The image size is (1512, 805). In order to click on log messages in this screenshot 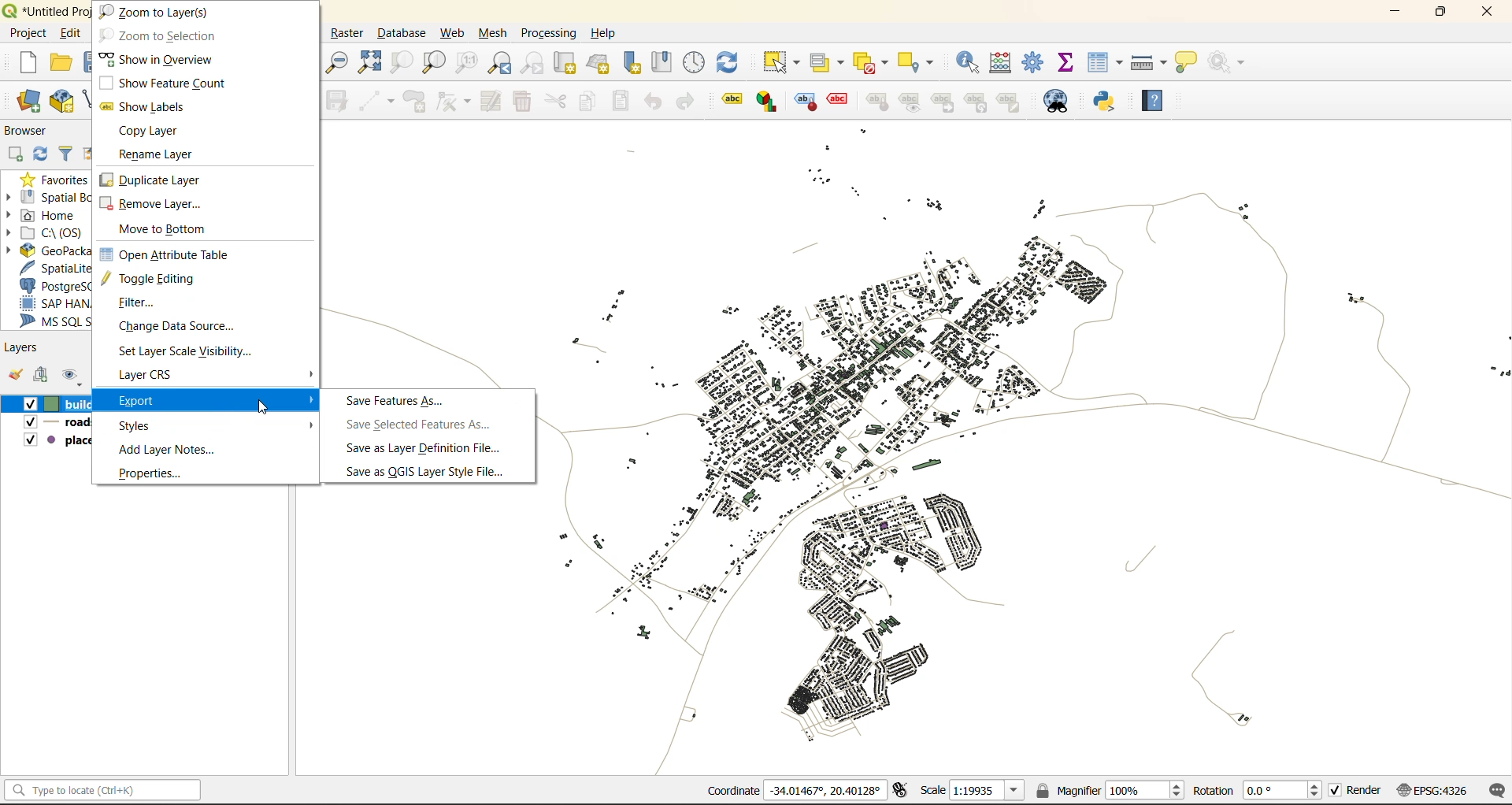, I will do `click(1494, 789)`.